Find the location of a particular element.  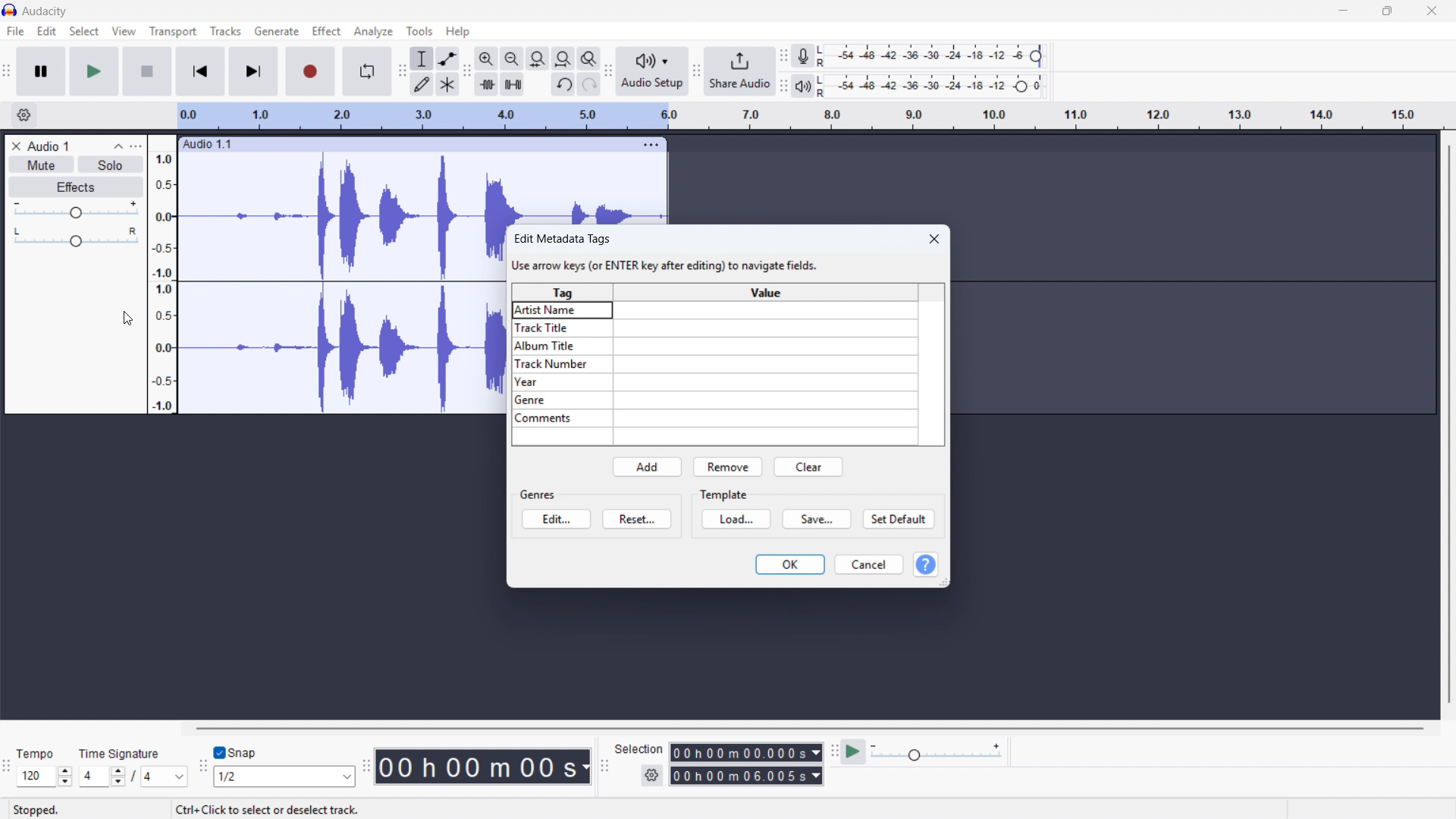

Tag is located at coordinates (562, 293).